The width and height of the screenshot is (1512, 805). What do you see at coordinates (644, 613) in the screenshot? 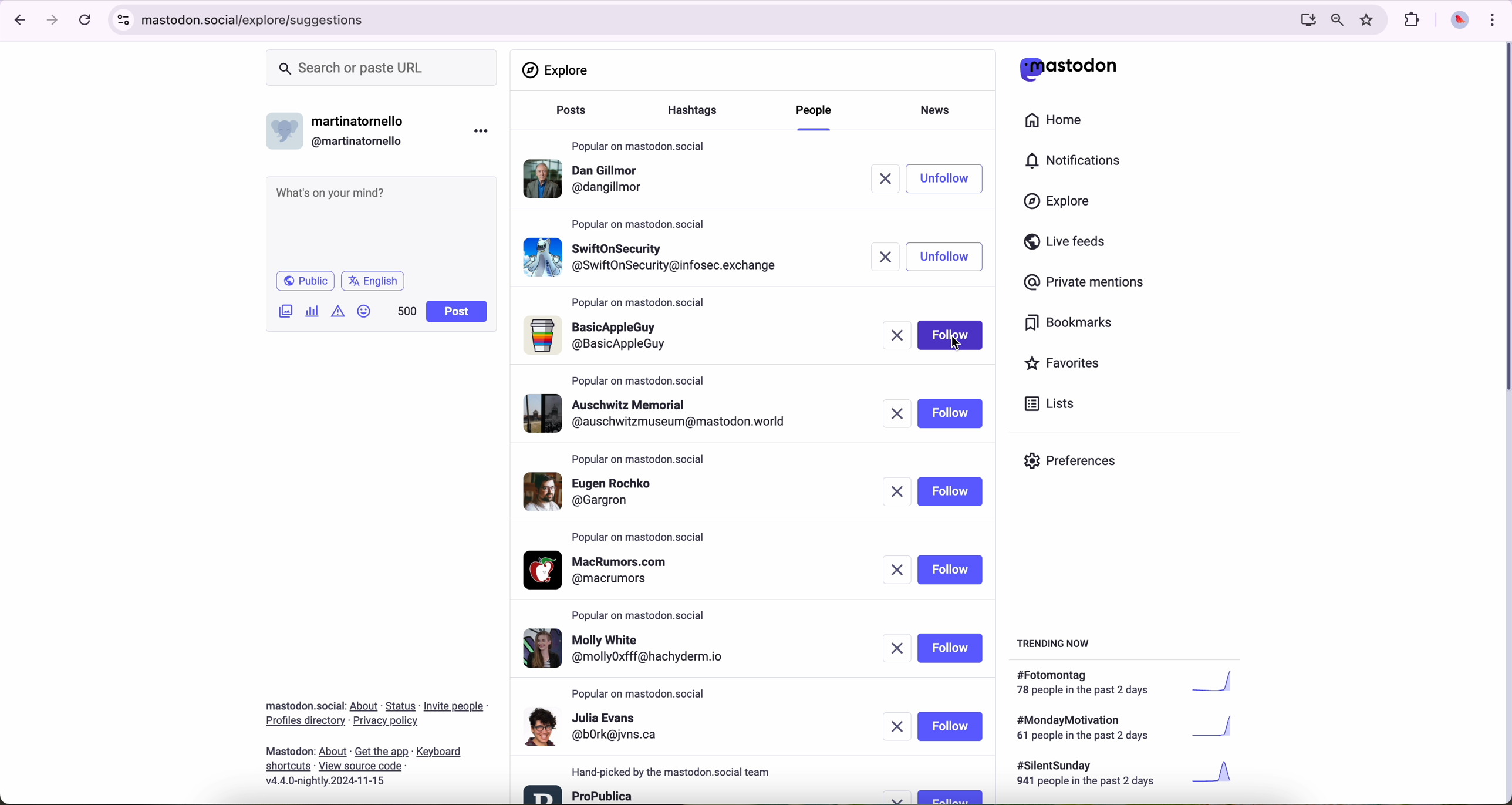
I see `popular on mastodon.social` at bounding box center [644, 613].